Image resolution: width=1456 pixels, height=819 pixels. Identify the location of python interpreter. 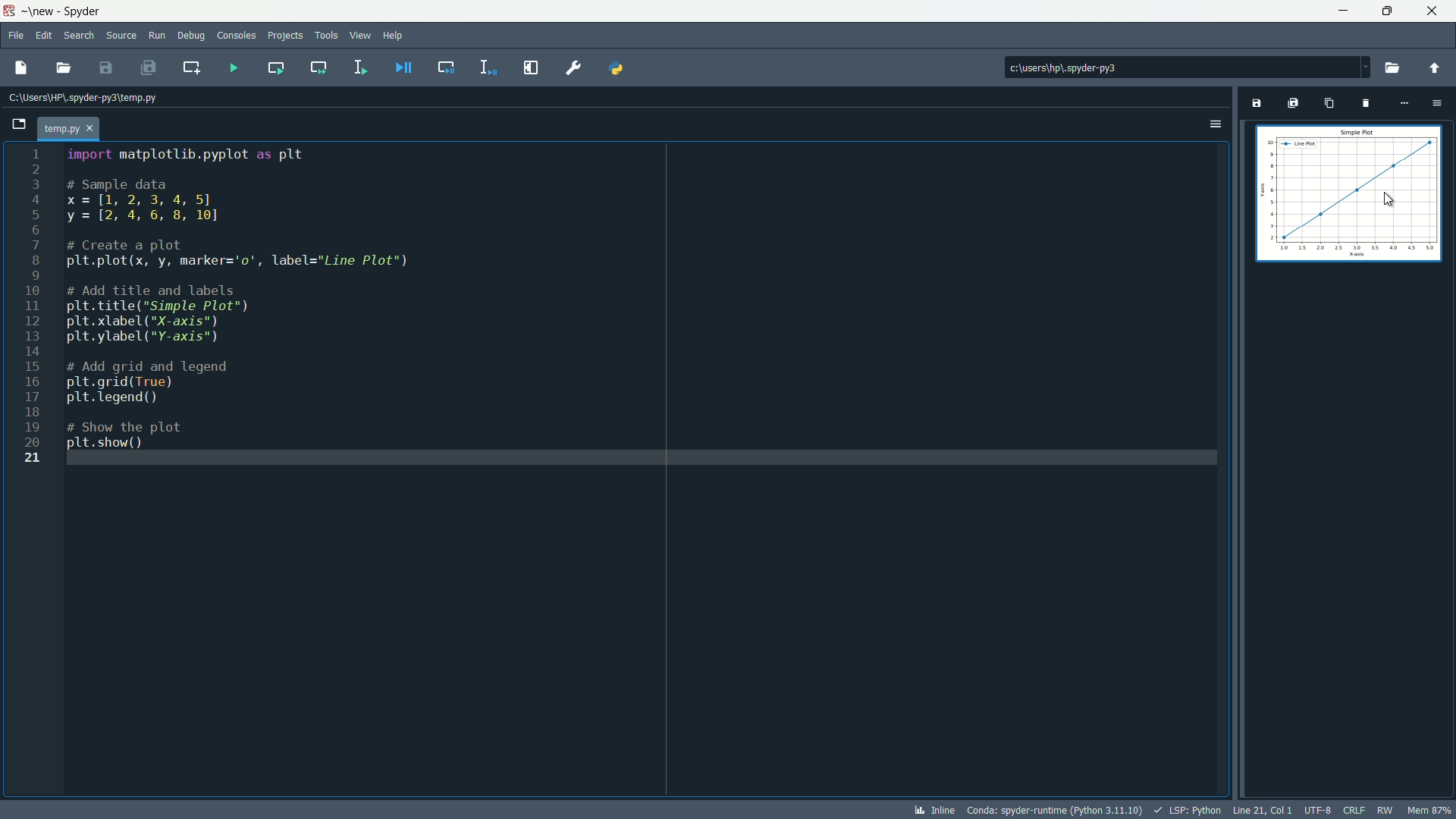
(1054, 811).